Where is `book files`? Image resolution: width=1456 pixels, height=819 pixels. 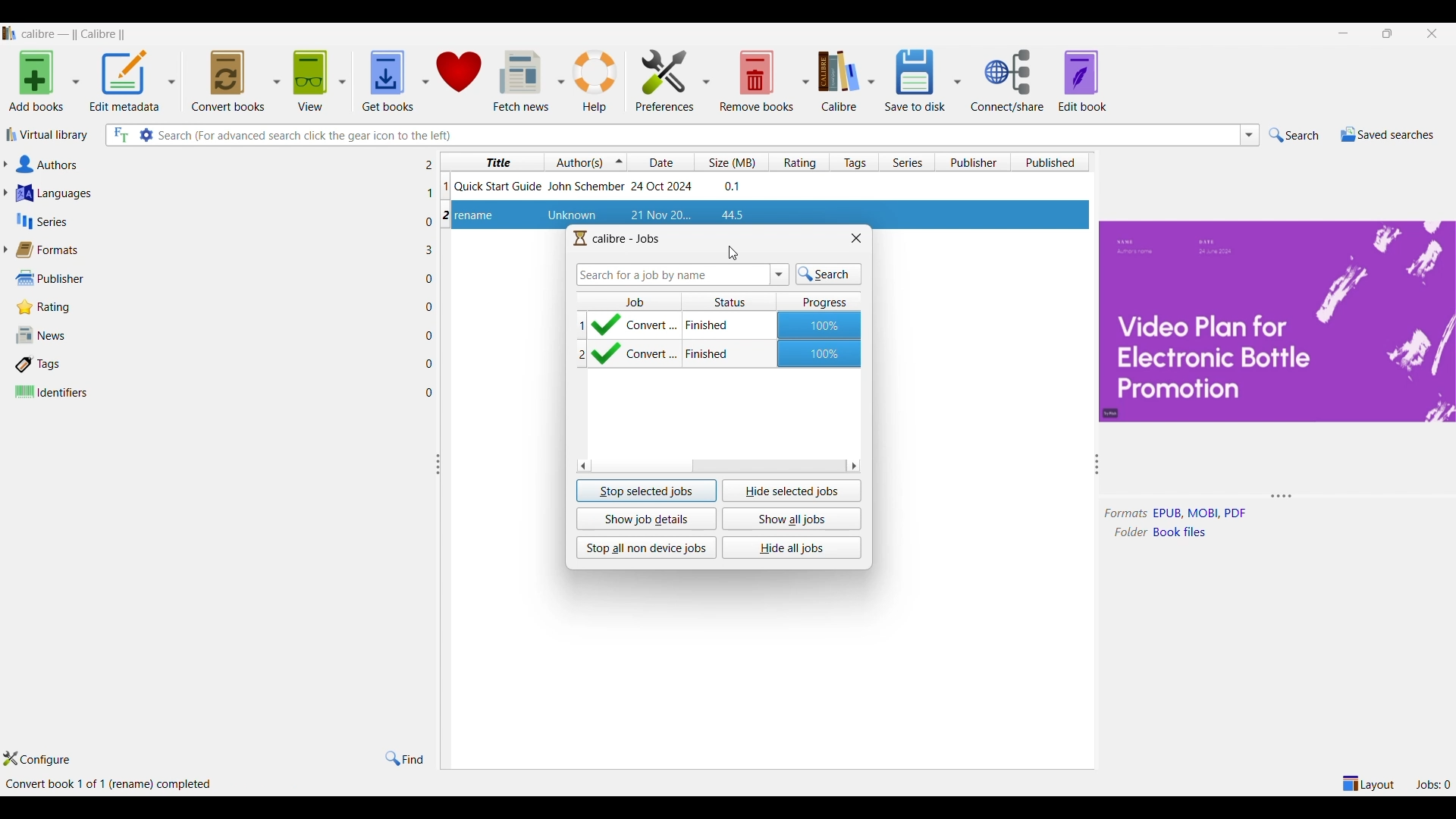 book files is located at coordinates (1184, 532).